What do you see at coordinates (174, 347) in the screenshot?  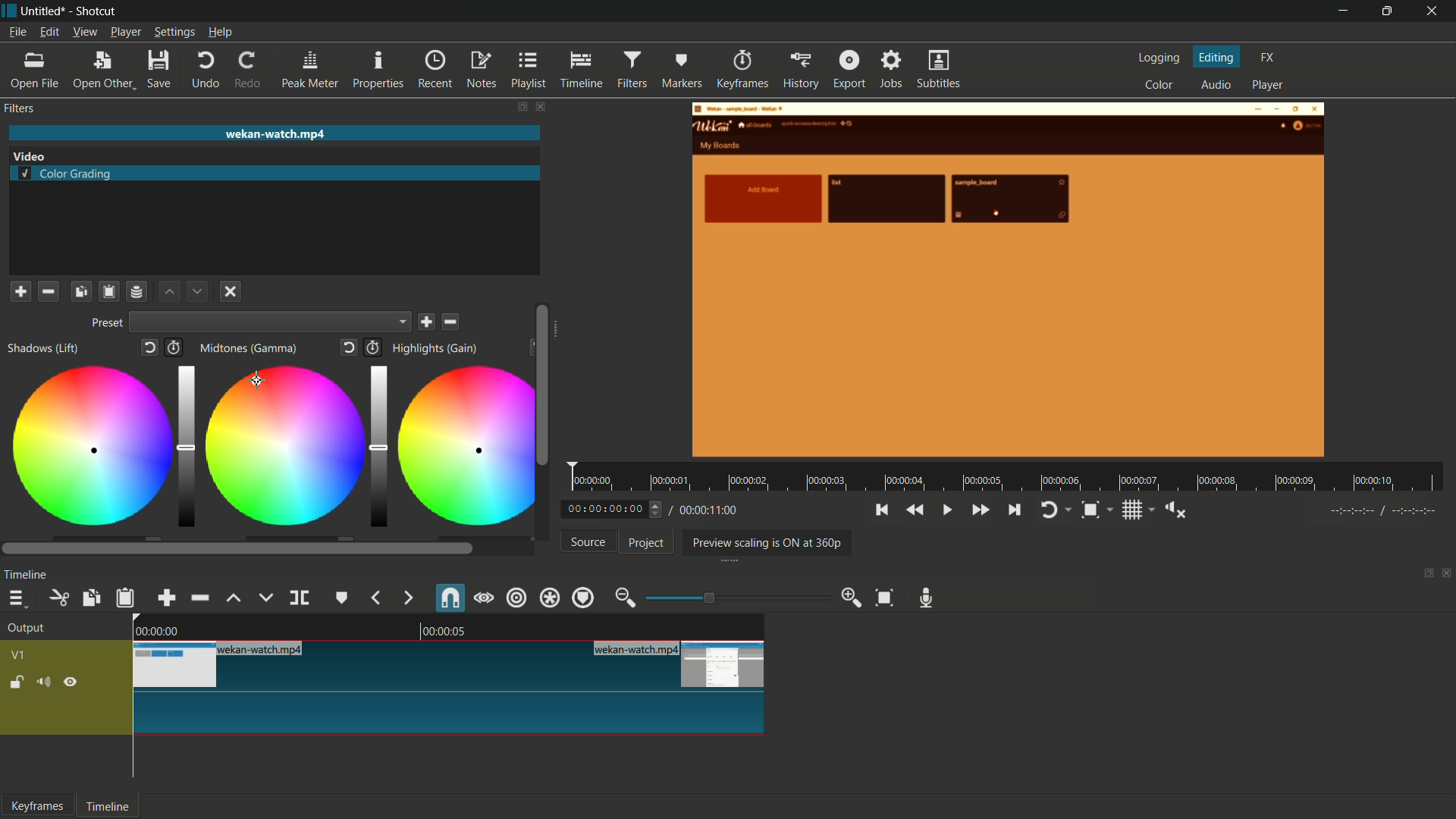 I see `add keyframes to this parameter` at bounding box center [174, 347].